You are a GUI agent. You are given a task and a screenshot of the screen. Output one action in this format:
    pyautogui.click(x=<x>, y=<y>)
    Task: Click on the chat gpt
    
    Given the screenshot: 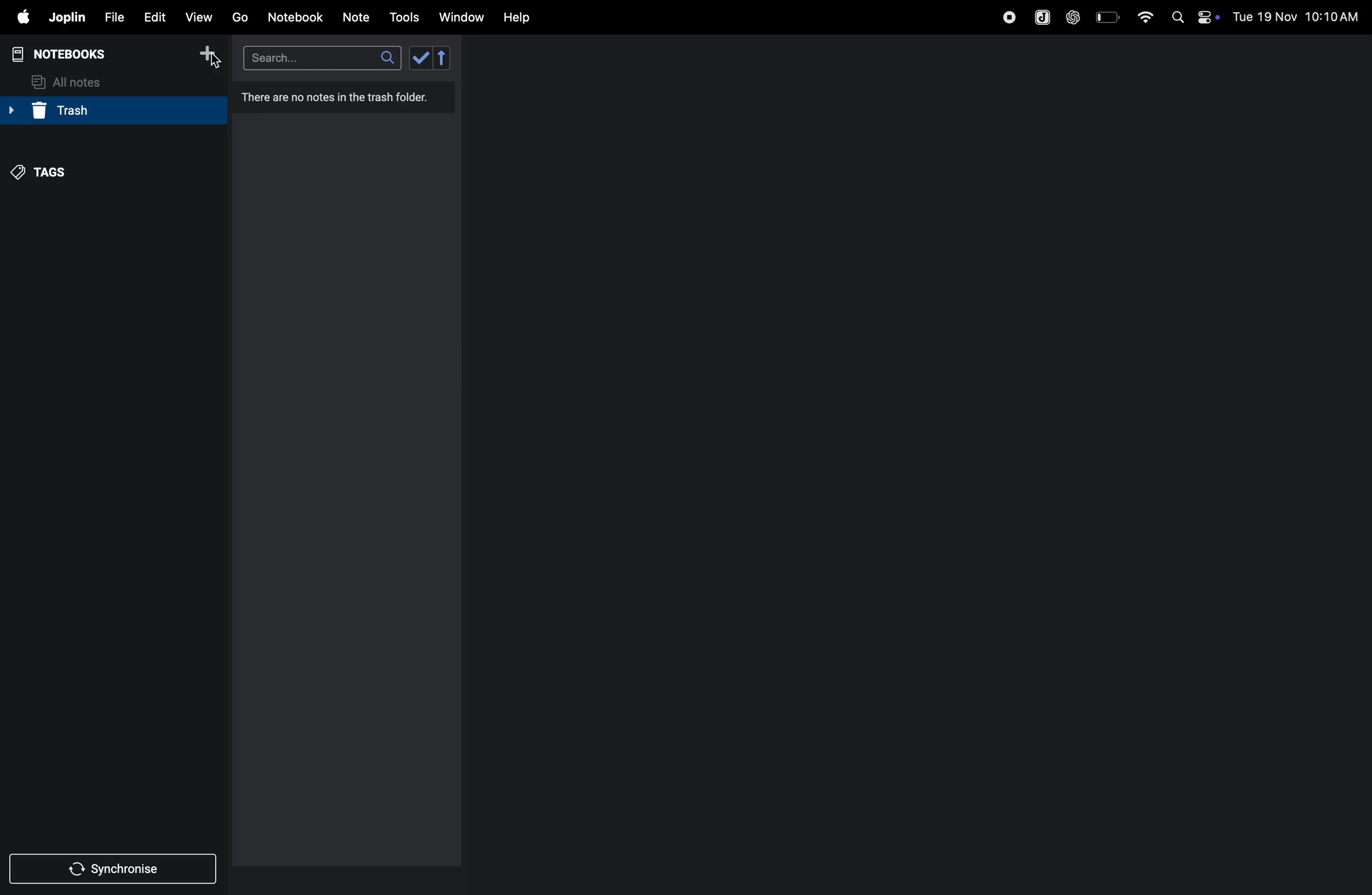 What is the action you would take?
    pyautogui.click(x=1071, y=17)
    